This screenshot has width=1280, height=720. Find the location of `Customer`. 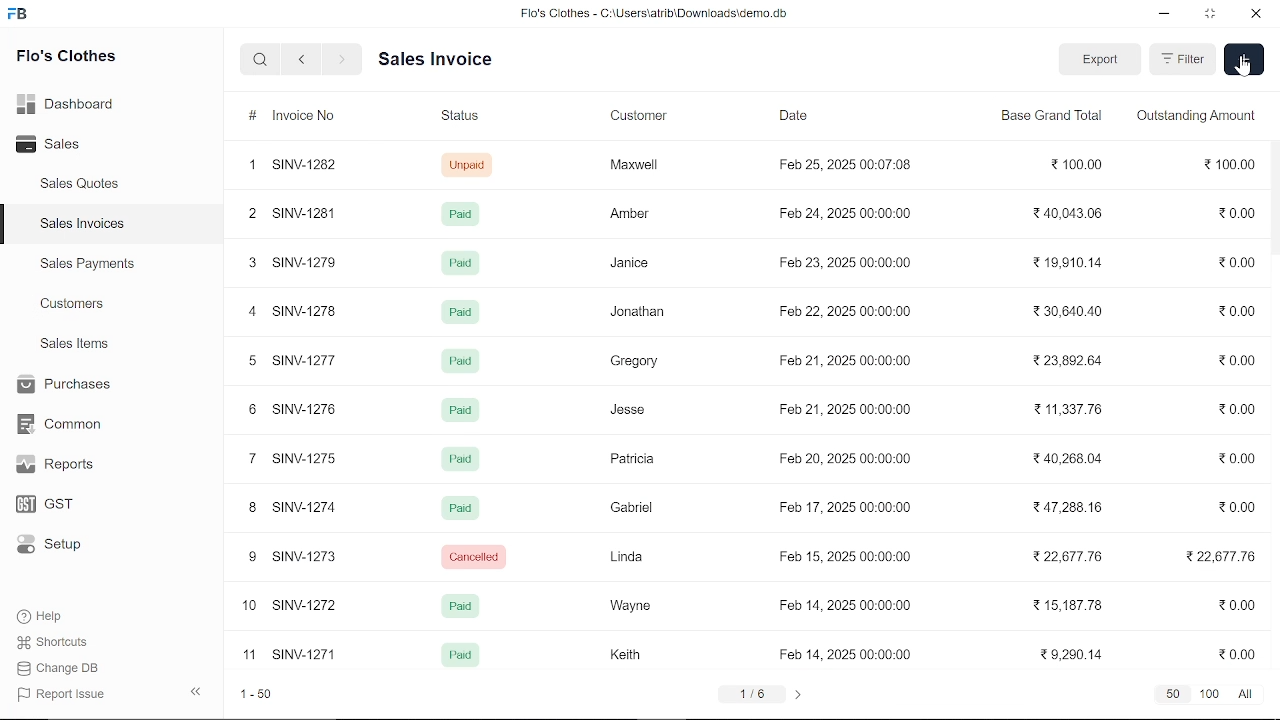

Customer is located at coordinates (645, 118).